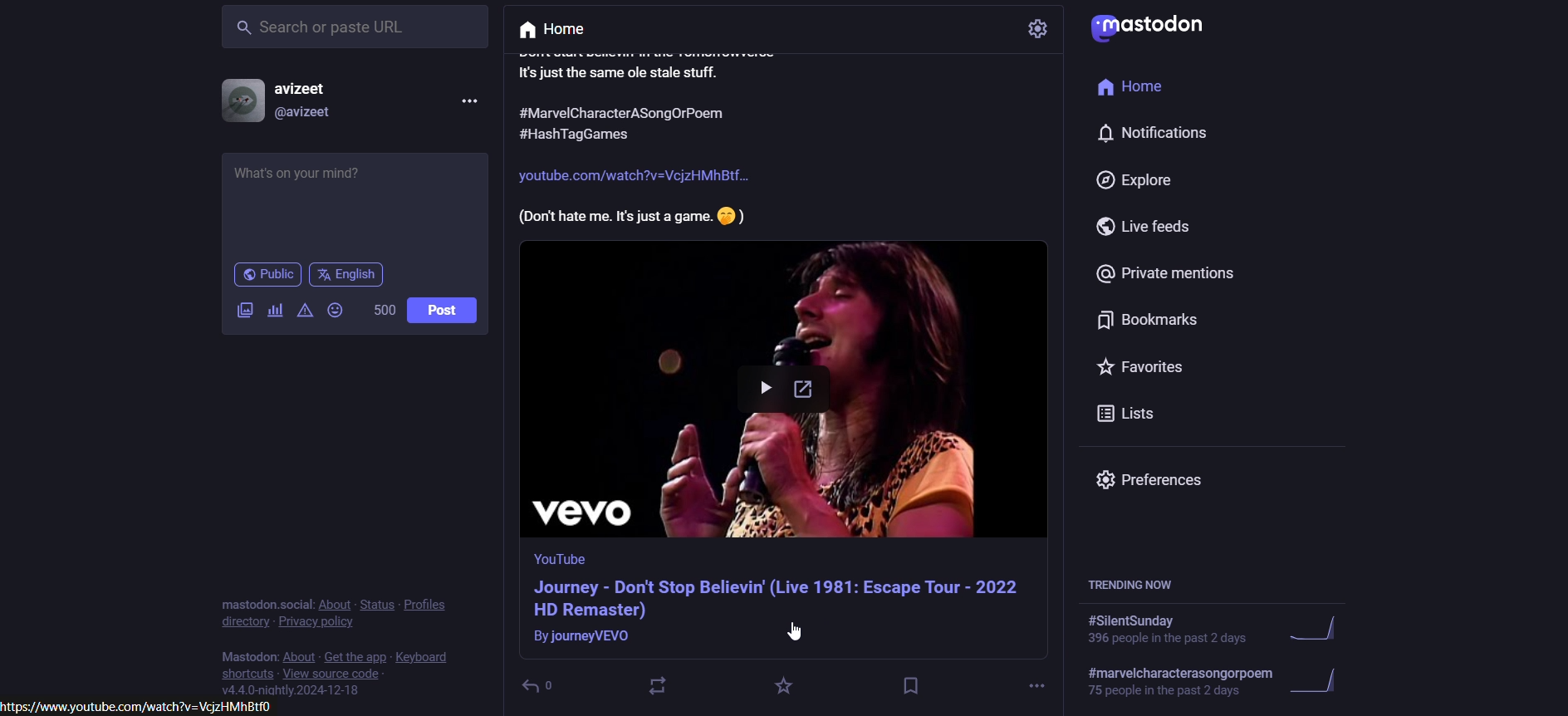  What do you see at coordinates (333, 606) in the screenshot?
I see `about` at bounding box center [333, 606].